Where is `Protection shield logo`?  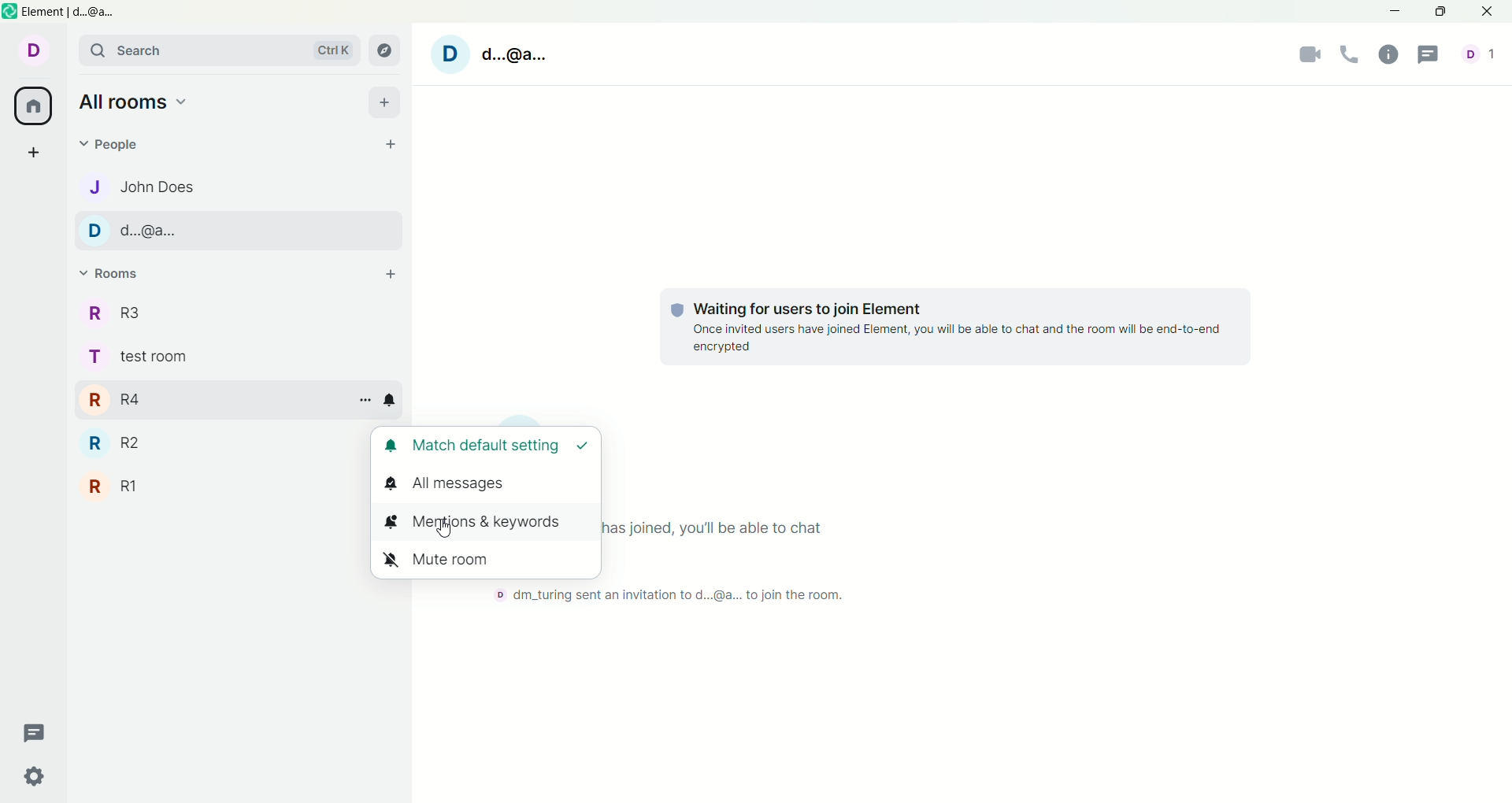
Protection shield logo is located at coordinates (677, 310).